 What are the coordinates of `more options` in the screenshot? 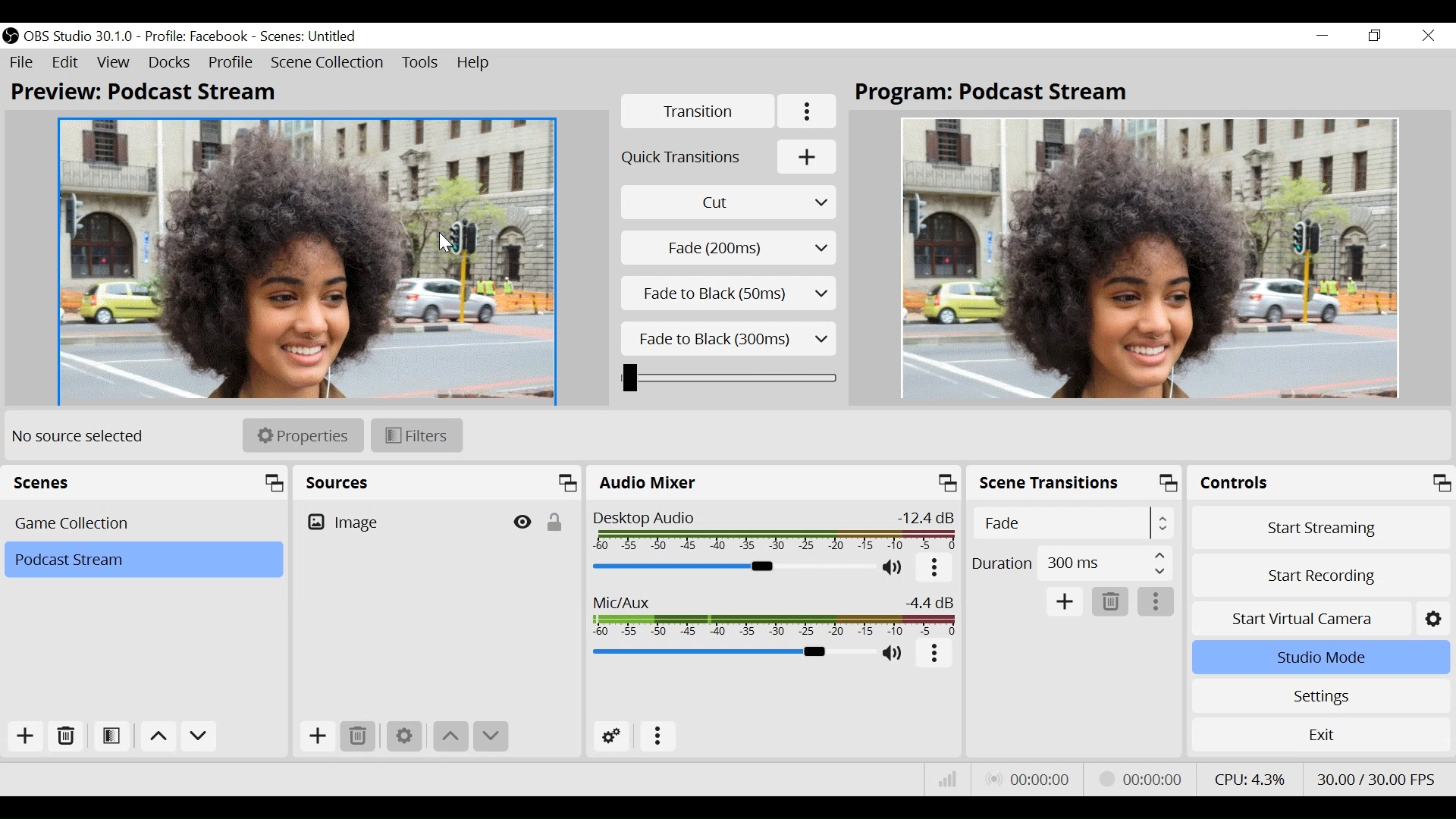 It's located at (1157, 601).